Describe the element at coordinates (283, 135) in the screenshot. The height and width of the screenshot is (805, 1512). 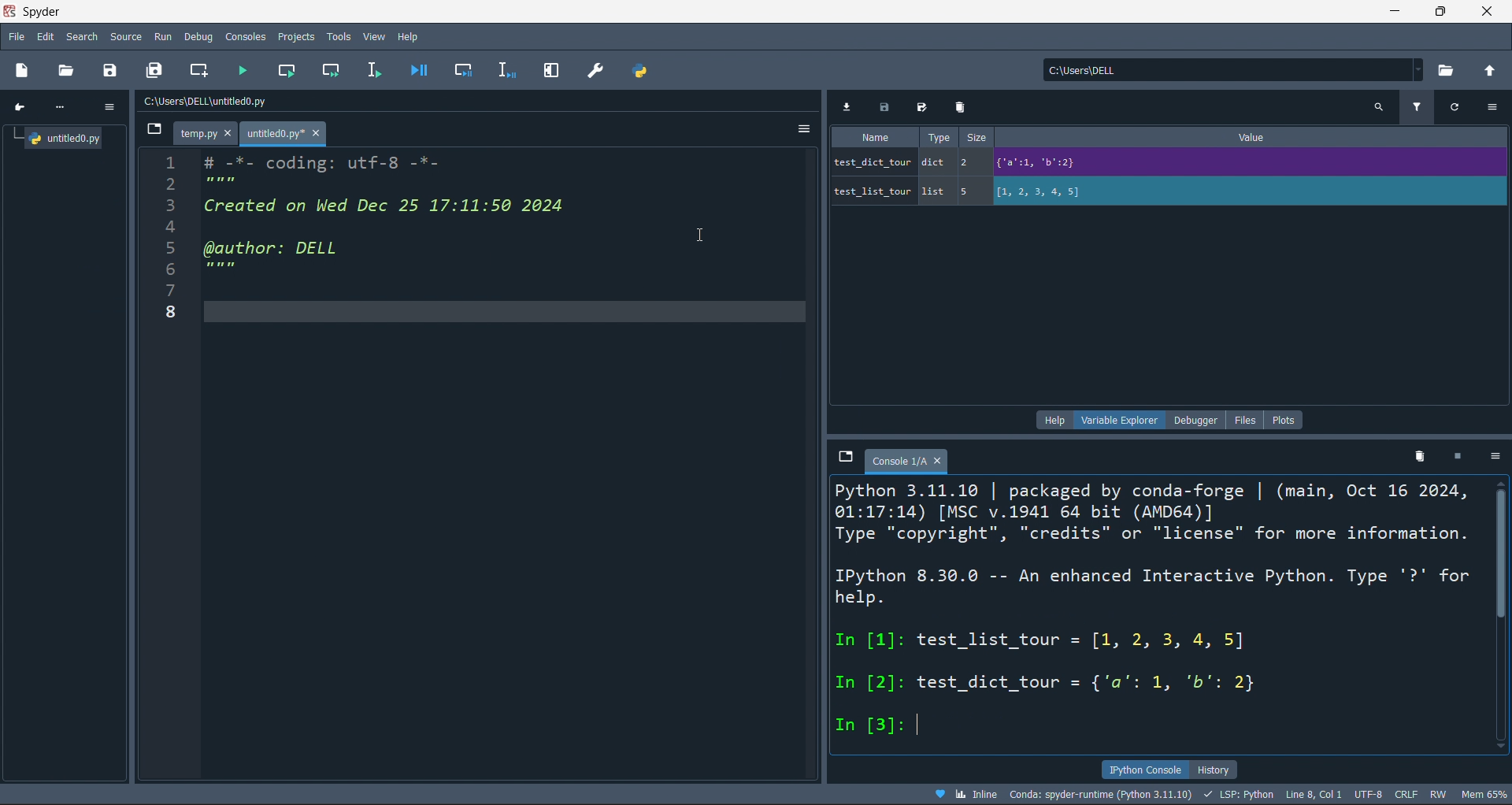
I see `untitled` at that location.